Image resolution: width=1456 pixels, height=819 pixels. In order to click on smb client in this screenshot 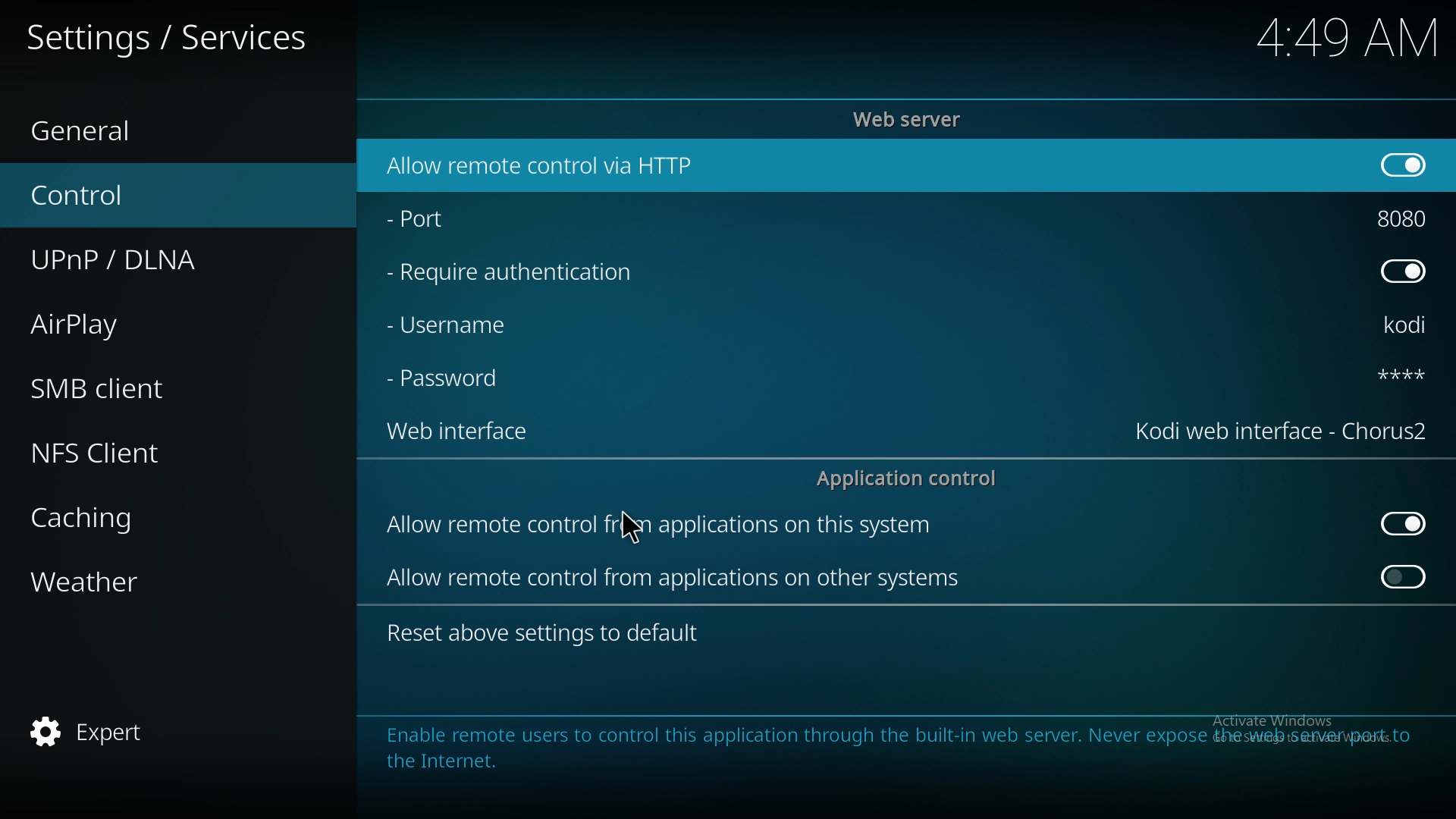, I will do `click(120, 388)`.